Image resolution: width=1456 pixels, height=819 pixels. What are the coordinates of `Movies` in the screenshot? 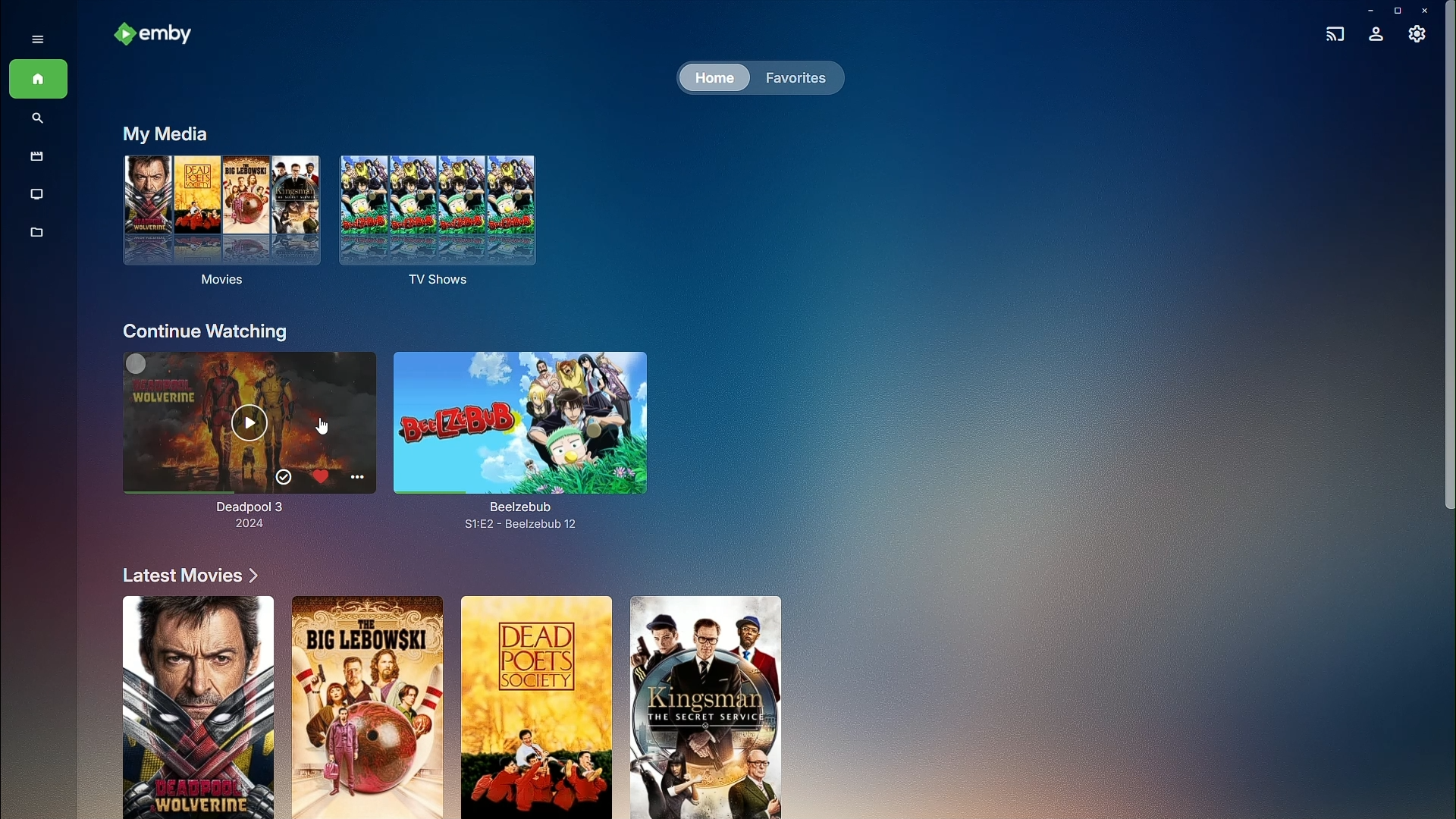 It's located at (37, 157).